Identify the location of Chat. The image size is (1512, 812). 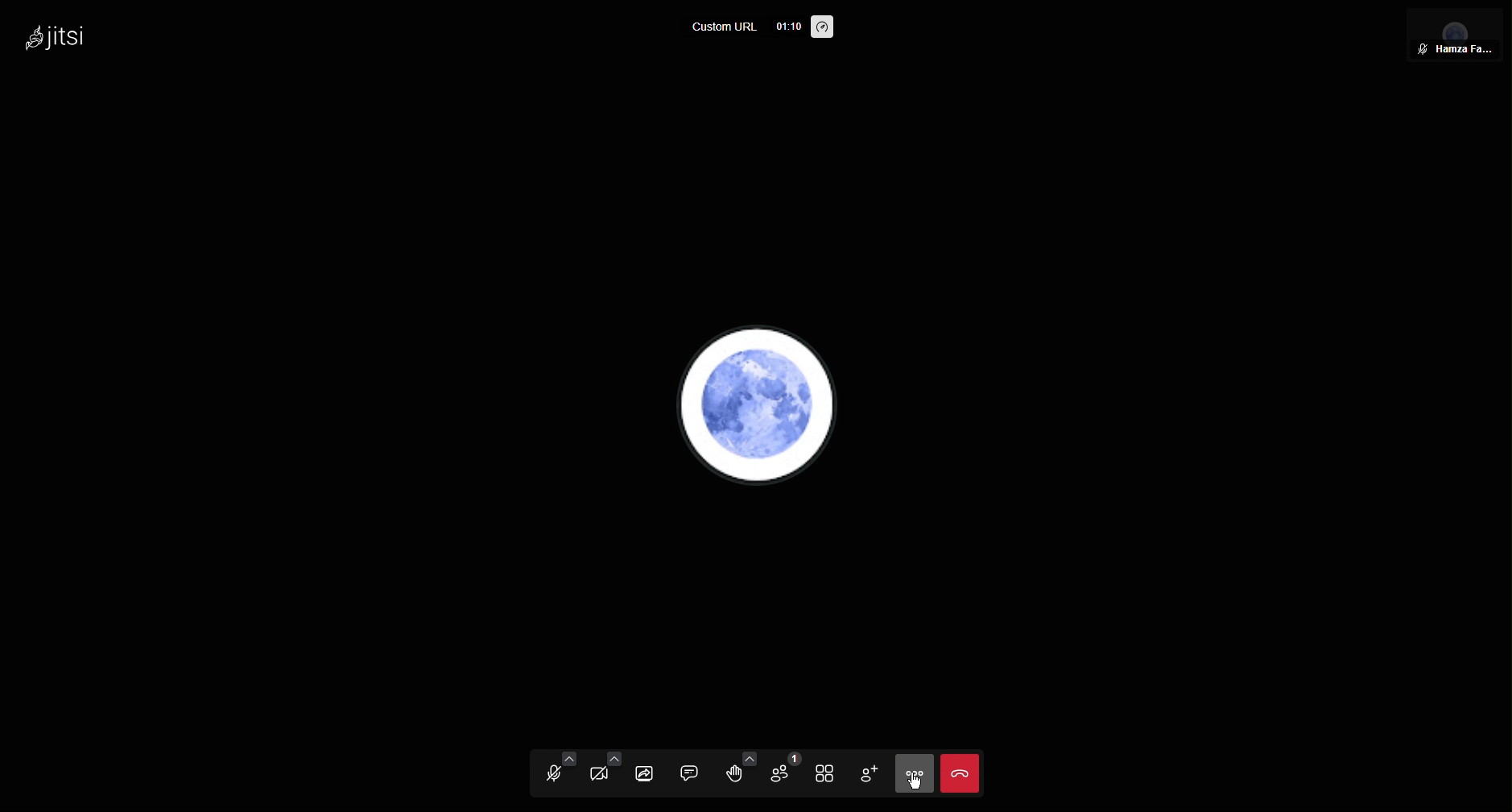
(696, 773).